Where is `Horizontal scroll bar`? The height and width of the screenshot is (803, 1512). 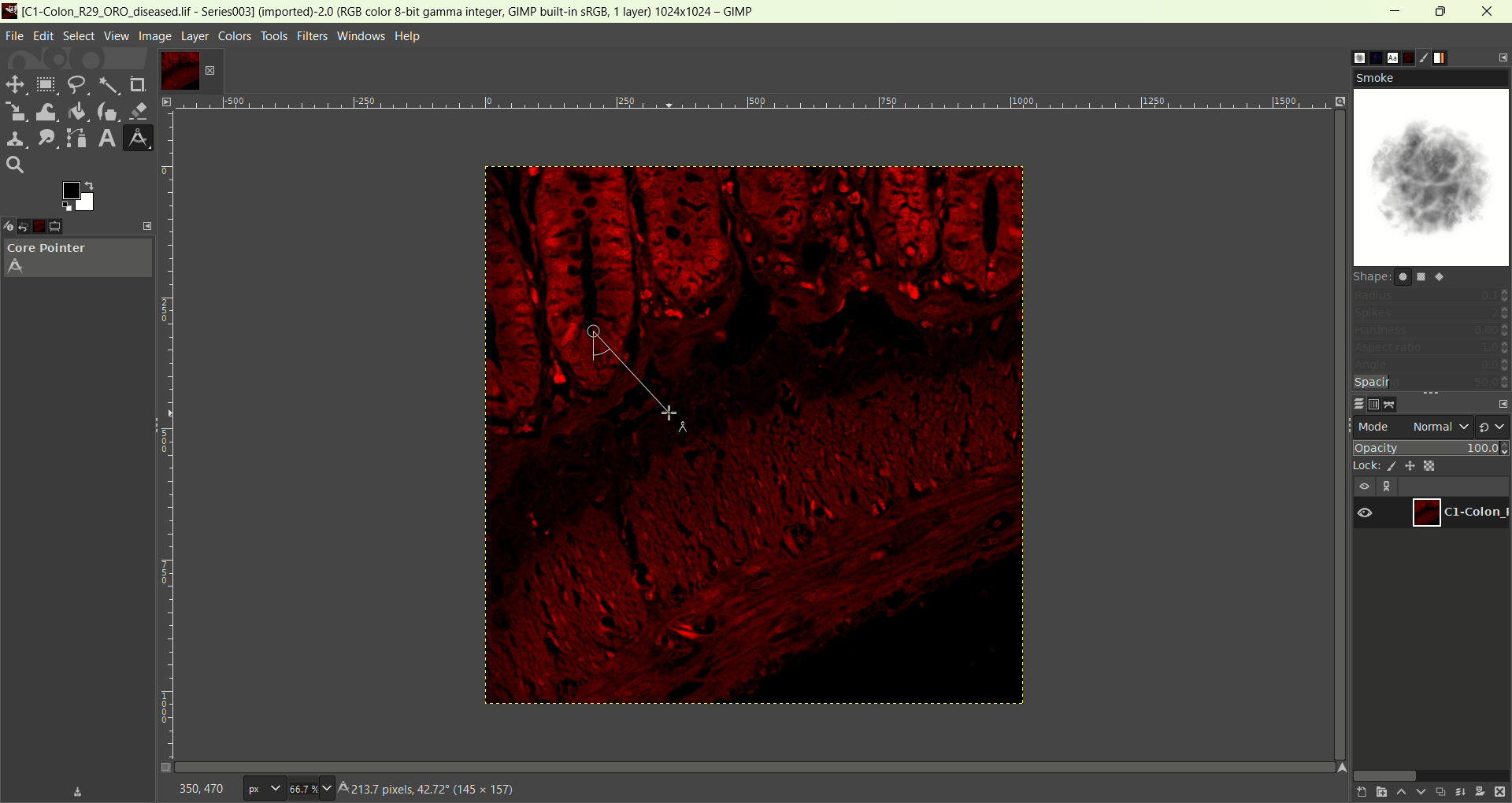
Horizontal scroll bar is located at coordinates (773, 764).